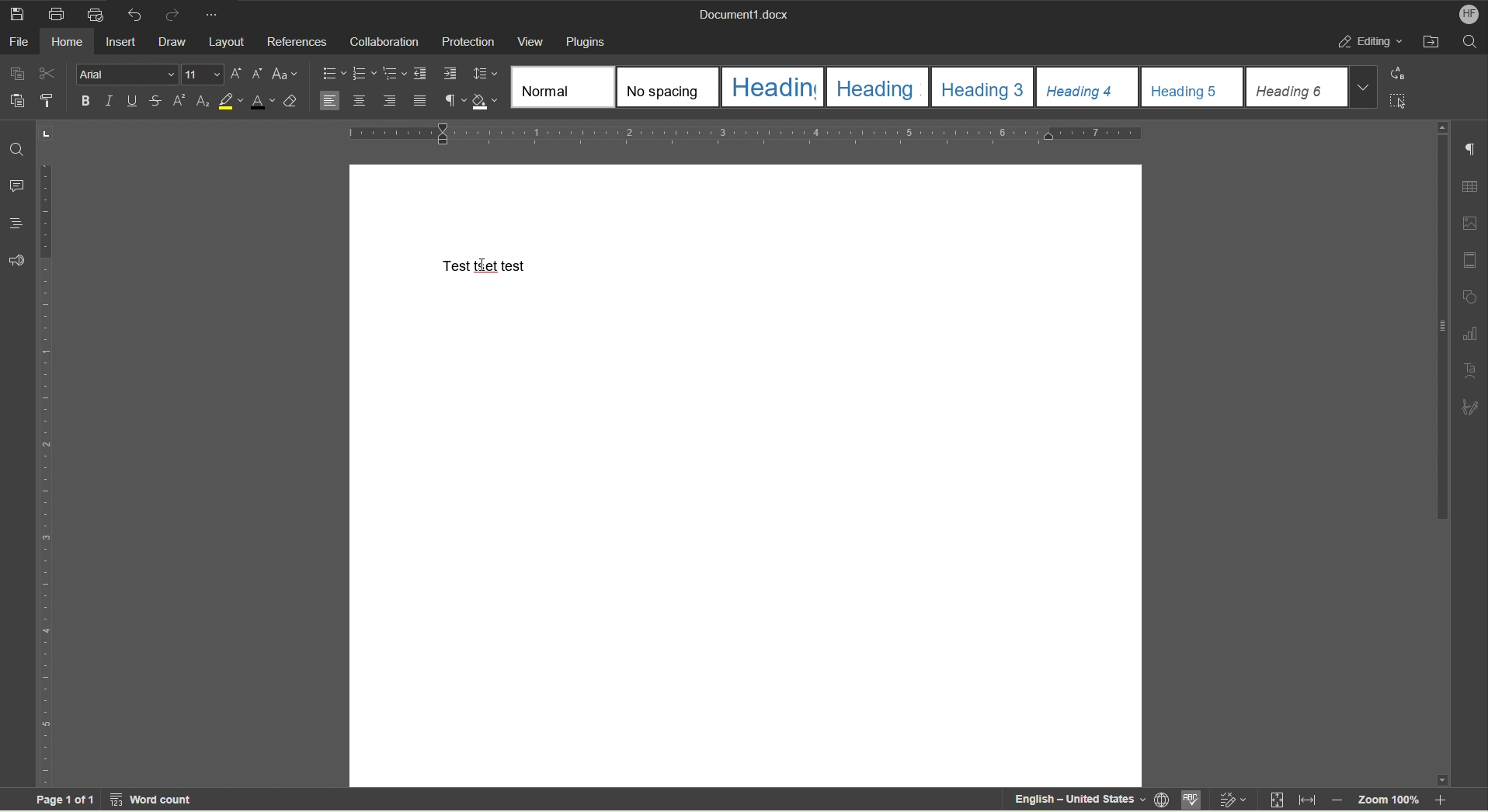 This screenshot has width=1488, height=812. I want to click on Decrease Font Size, so click(256, 75).